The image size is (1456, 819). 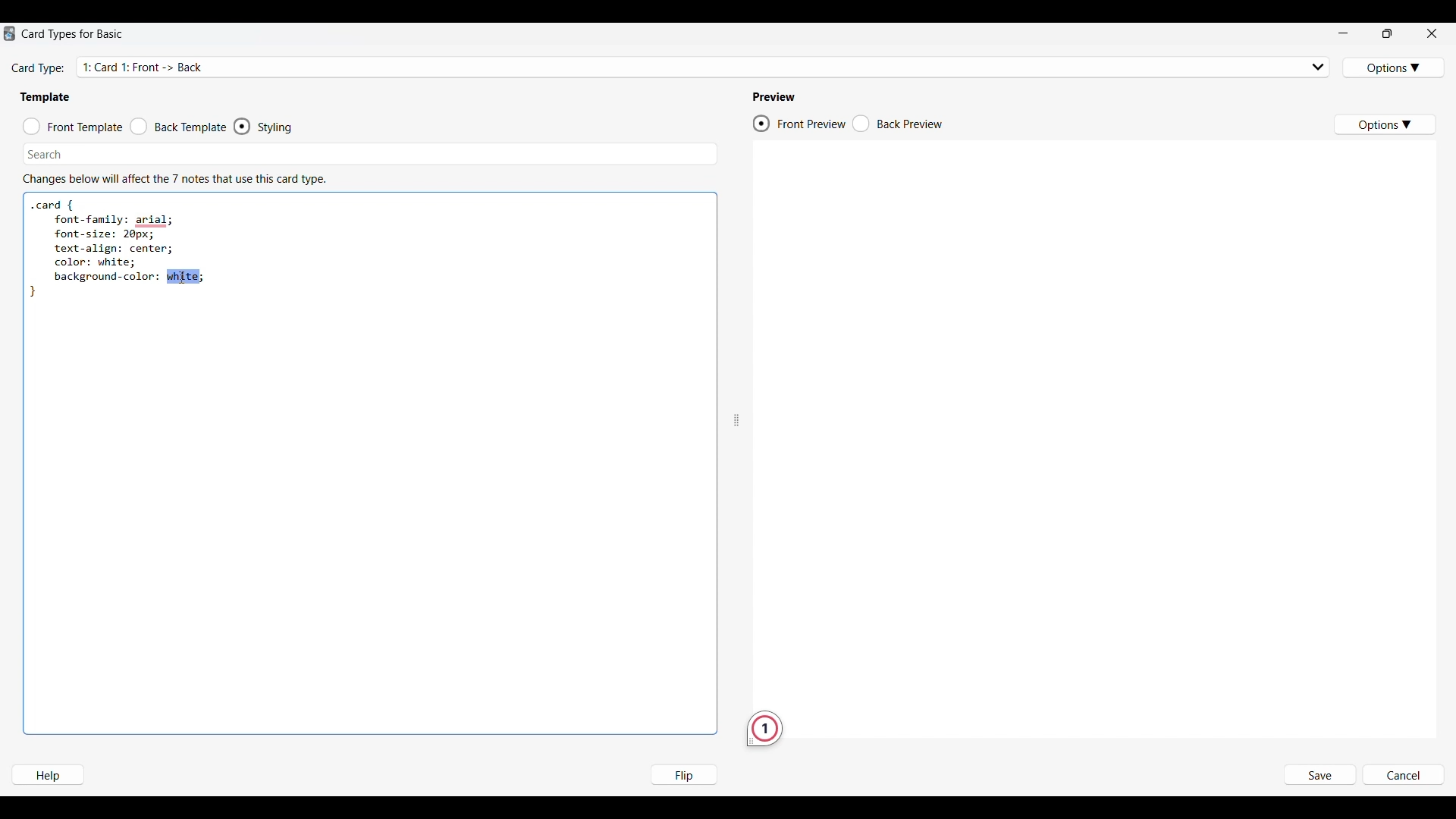 I want to click on Preview options, so click(x=1384, y=124).